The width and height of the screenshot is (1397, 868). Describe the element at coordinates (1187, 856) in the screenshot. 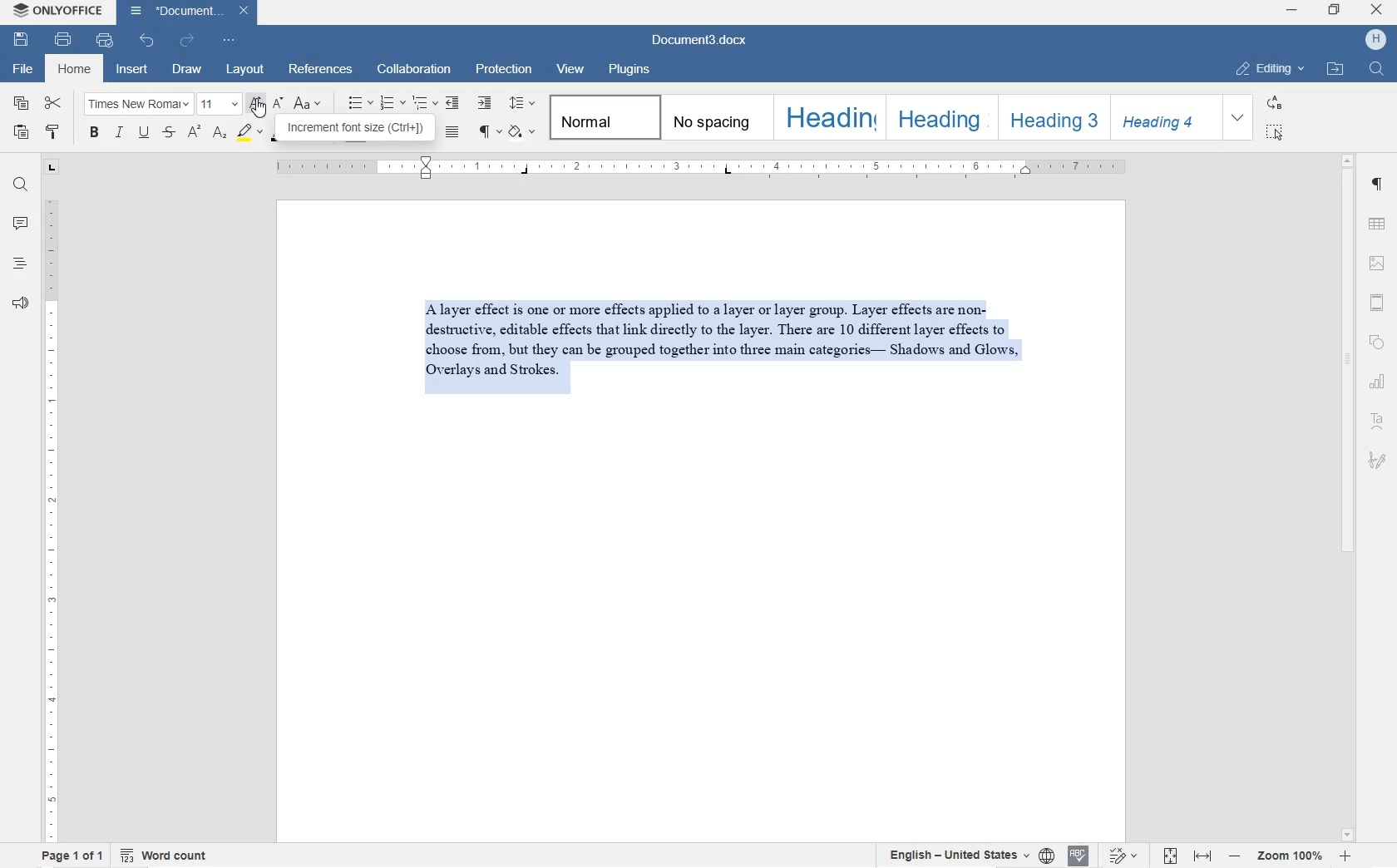

I see `fit to page or width` at that location.